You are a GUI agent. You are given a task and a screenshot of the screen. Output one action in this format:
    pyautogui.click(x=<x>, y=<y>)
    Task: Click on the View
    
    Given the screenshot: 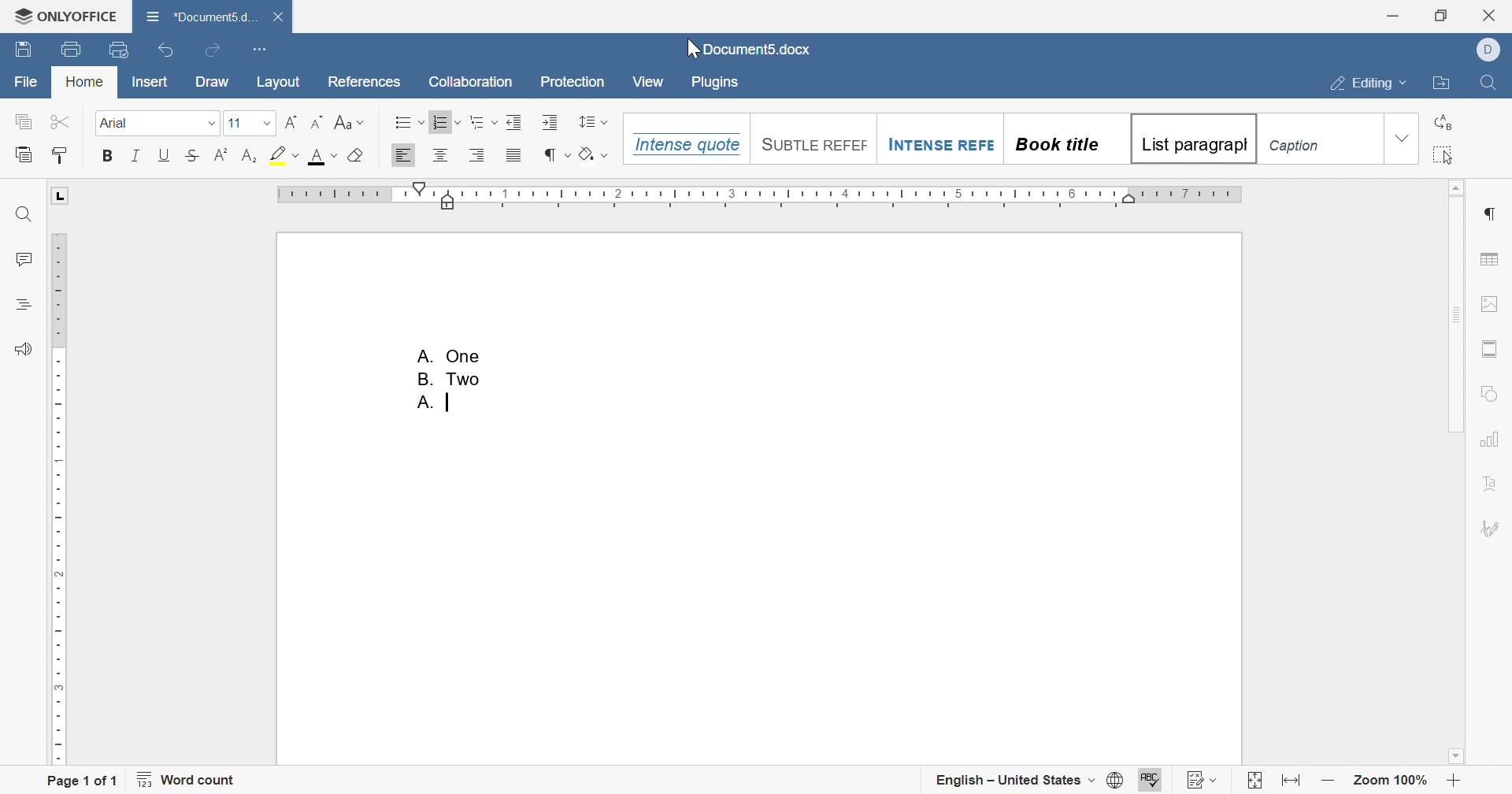 What is the action you would take?
    pyautogui.click(x=650, y=82)
    